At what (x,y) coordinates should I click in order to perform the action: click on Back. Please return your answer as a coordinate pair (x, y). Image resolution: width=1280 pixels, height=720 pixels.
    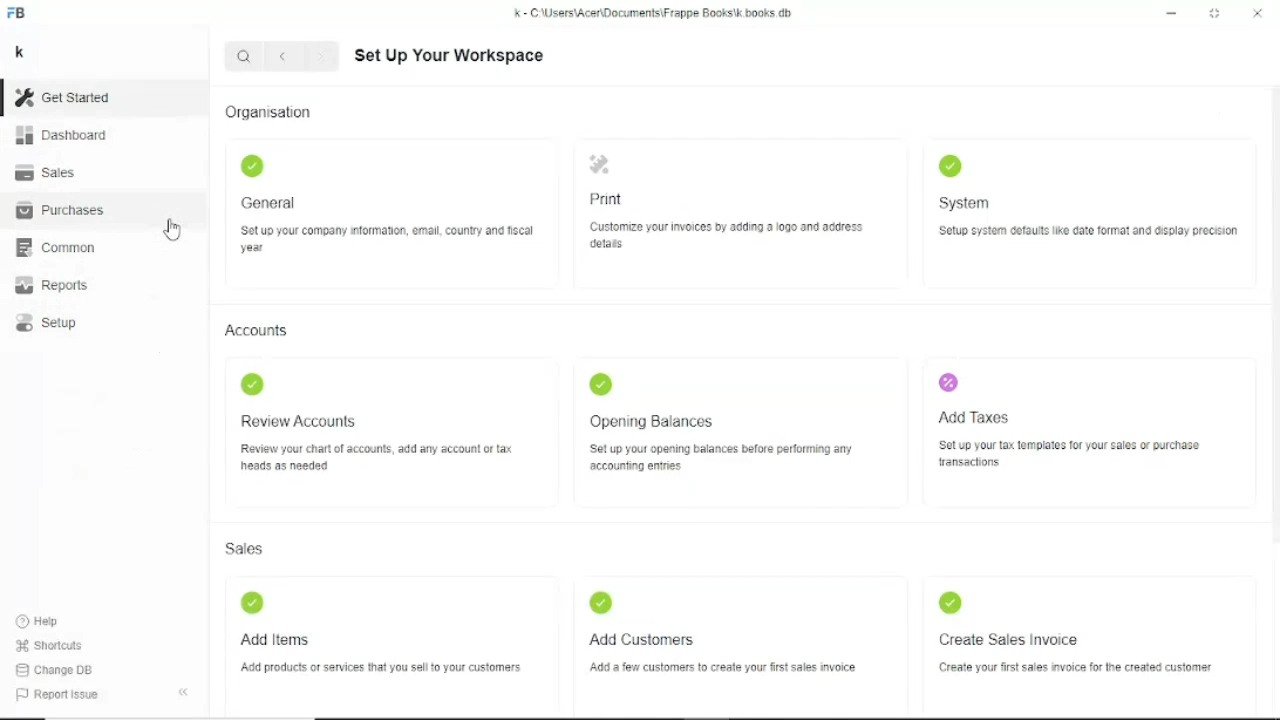
    Looking at the image, I should click on (286, 56).